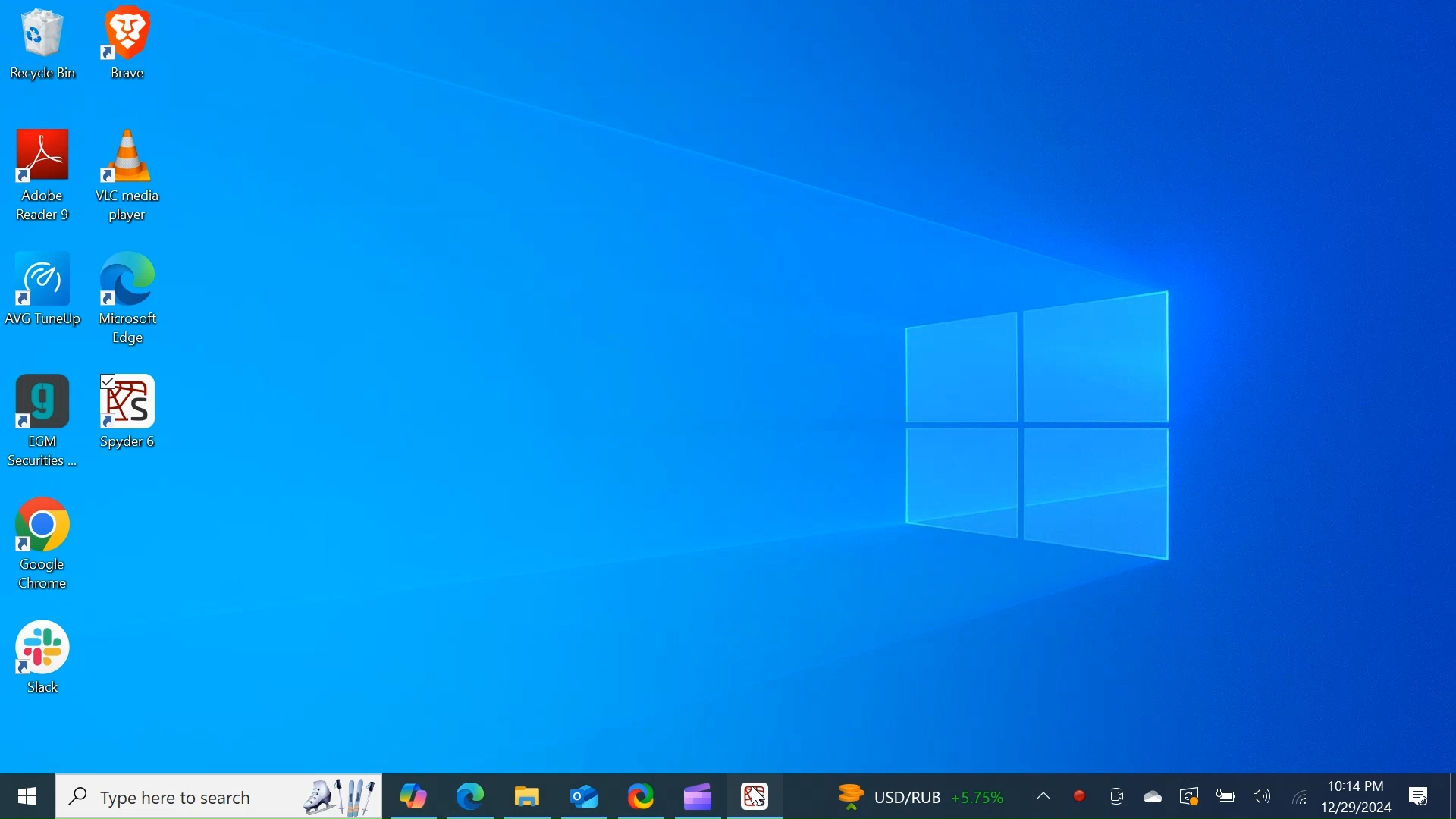 The height and width of the screenshot is (819, 1456). I want to click on Spyder Desktop Icon, so click(140, 423).